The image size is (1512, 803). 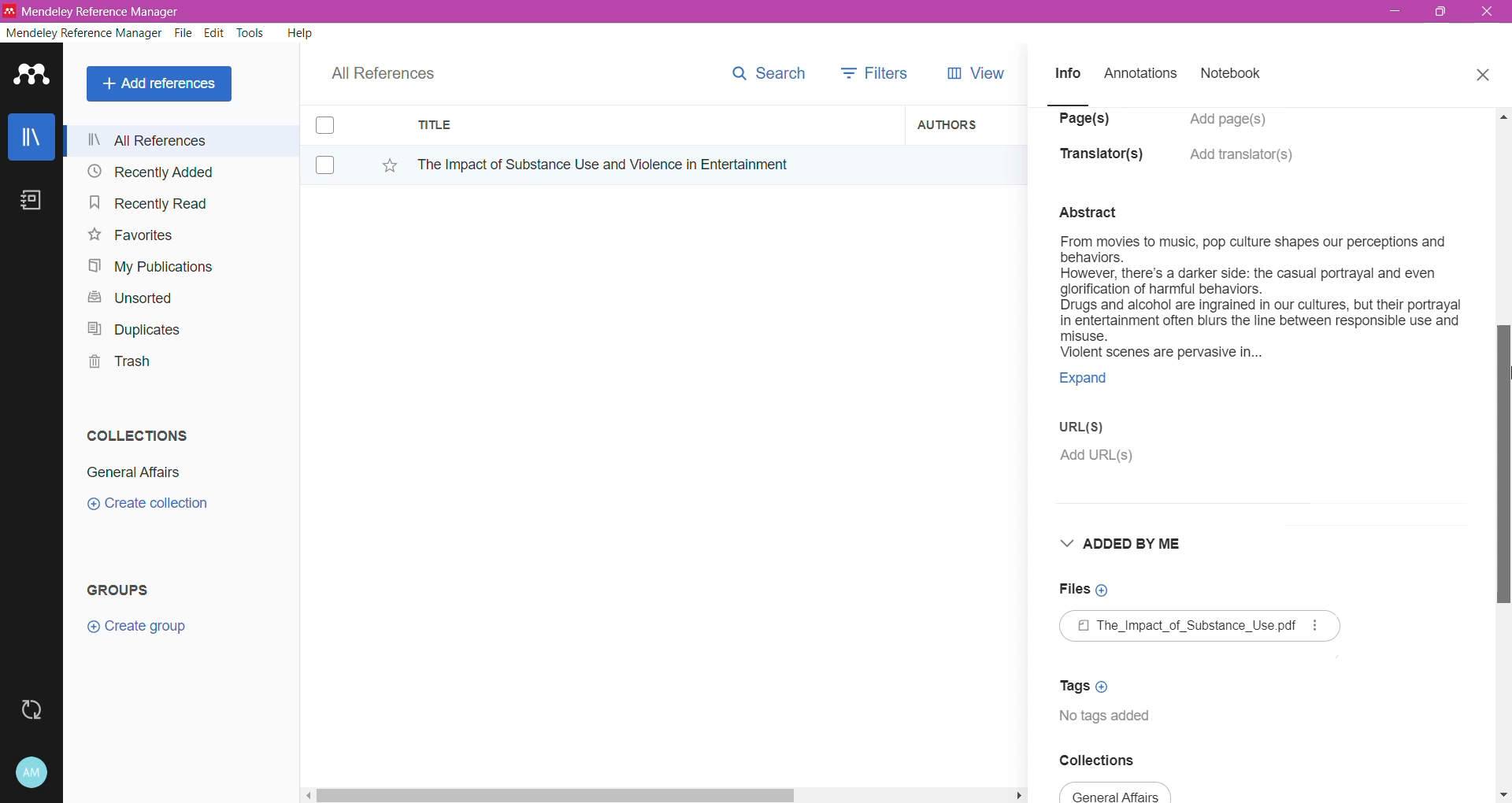 I want to click on File, so click(x=183, y=34).